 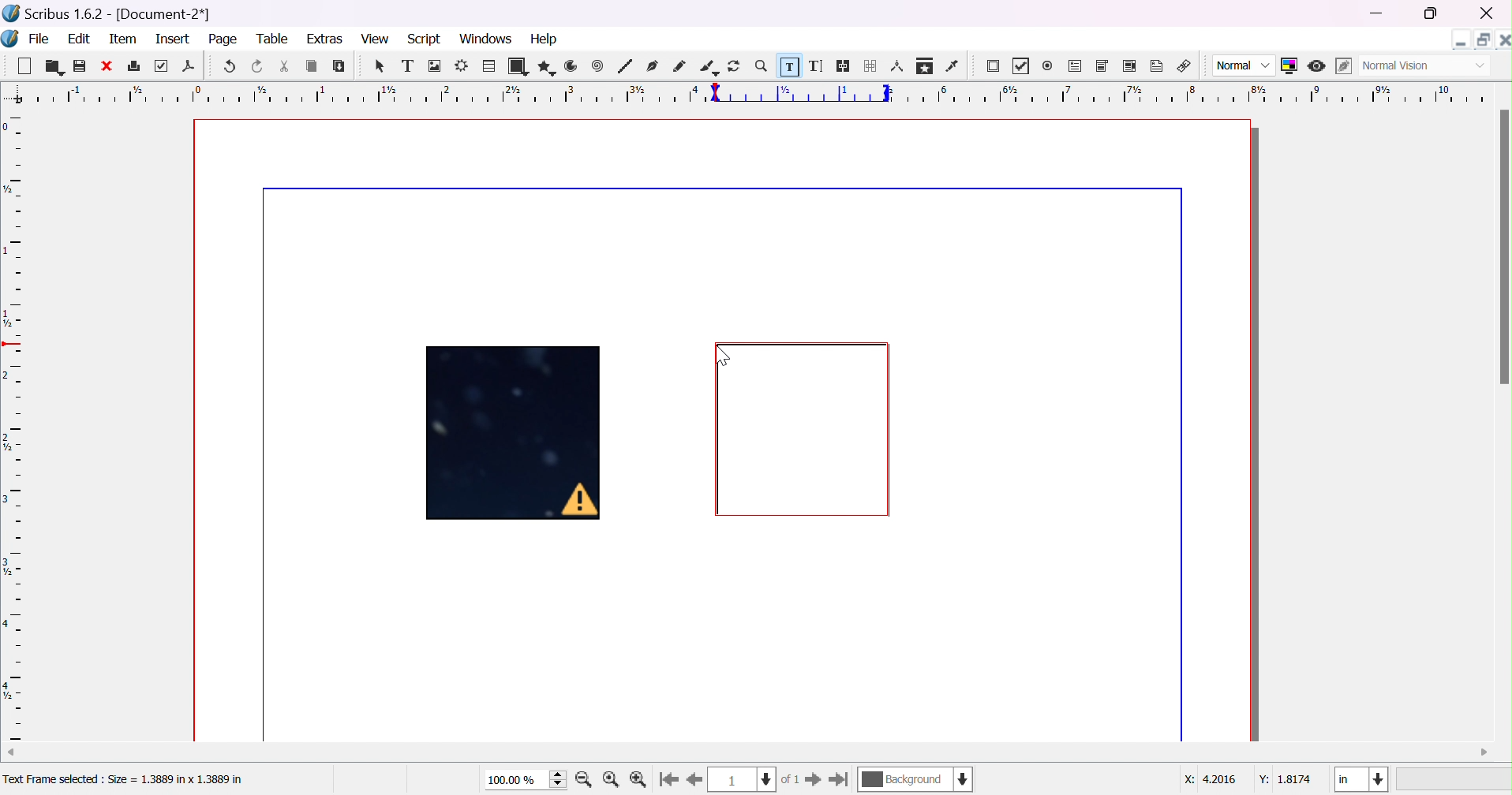 I want to click on normal vision, so click(x=1424, y=66).